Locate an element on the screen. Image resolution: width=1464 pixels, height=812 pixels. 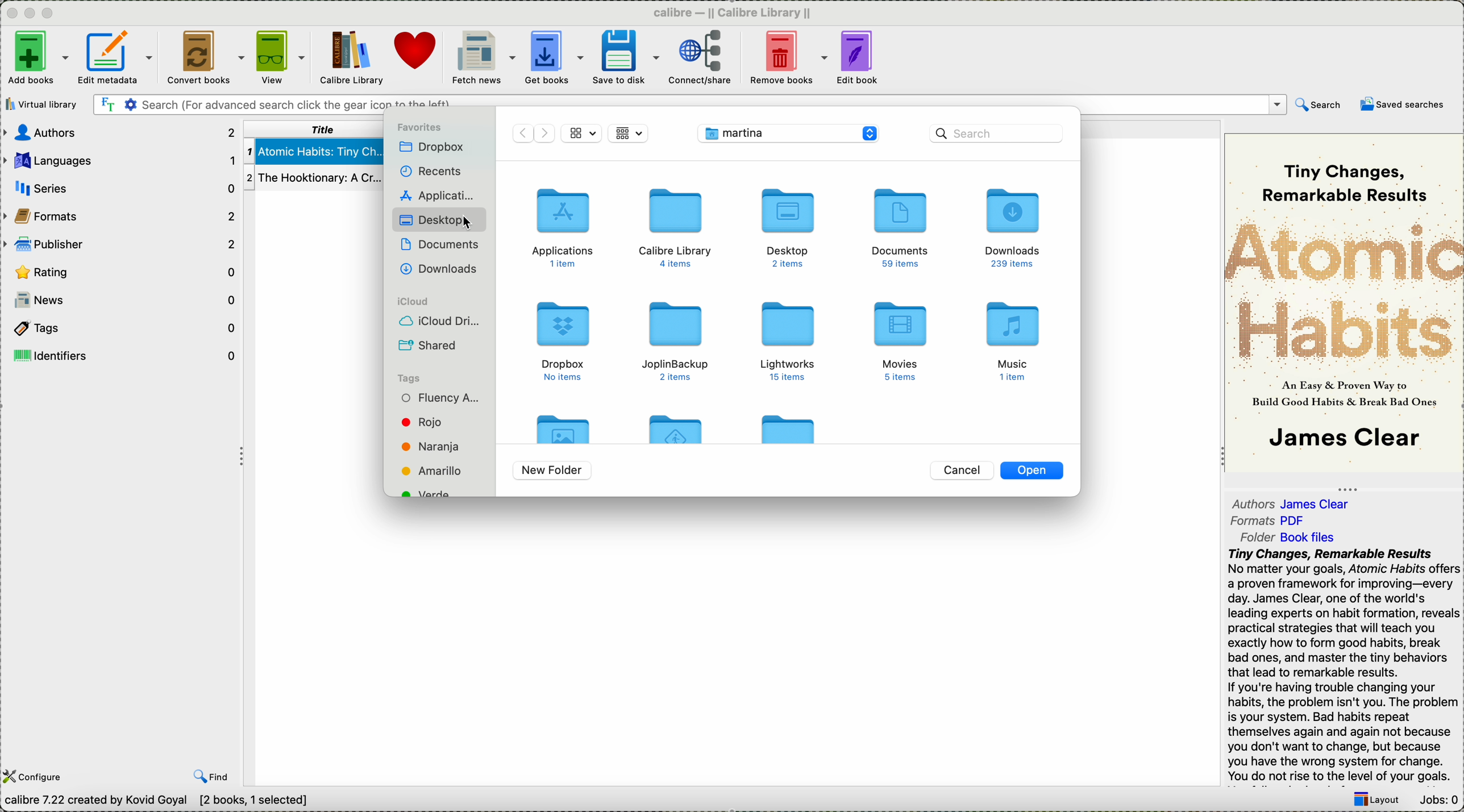
fetch news is located at coordinates (483, 58).